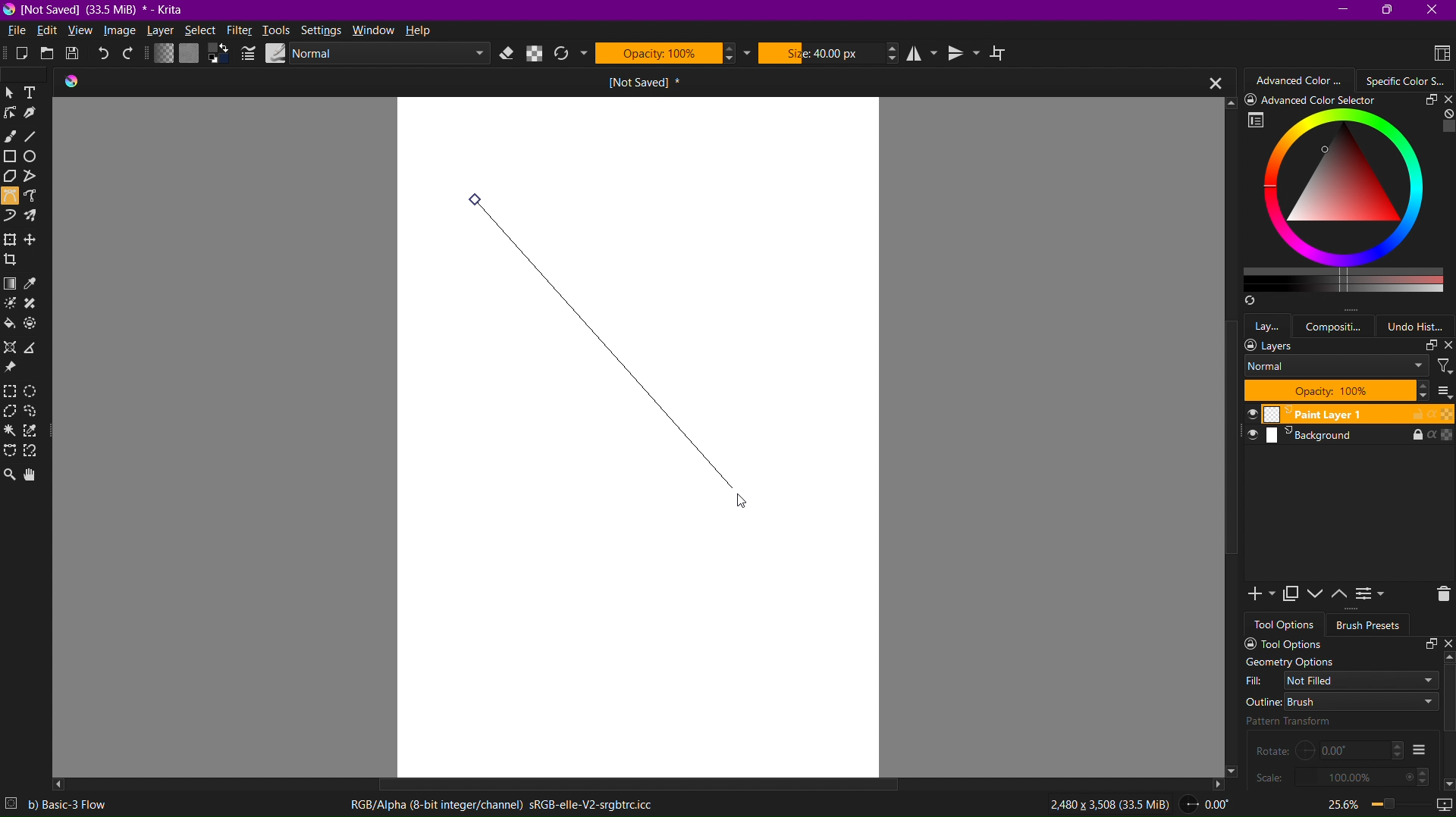 Image resolution: width=1456 pixels, height=817 pixels. I want to click on b) Basic - 3 Flow, so click(76, 805).